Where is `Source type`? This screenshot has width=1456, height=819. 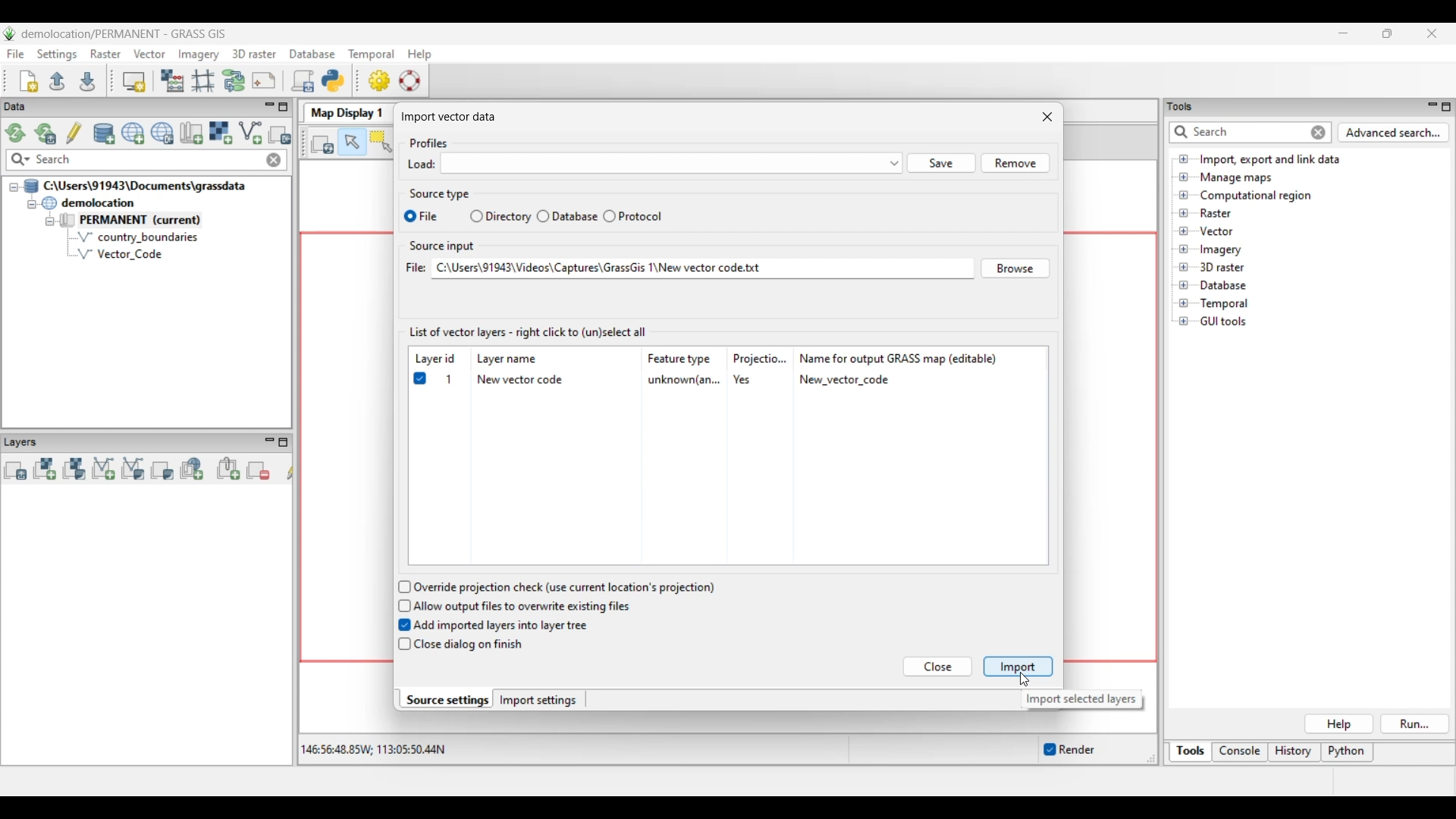
Source type is located at coordinates (441, 193).